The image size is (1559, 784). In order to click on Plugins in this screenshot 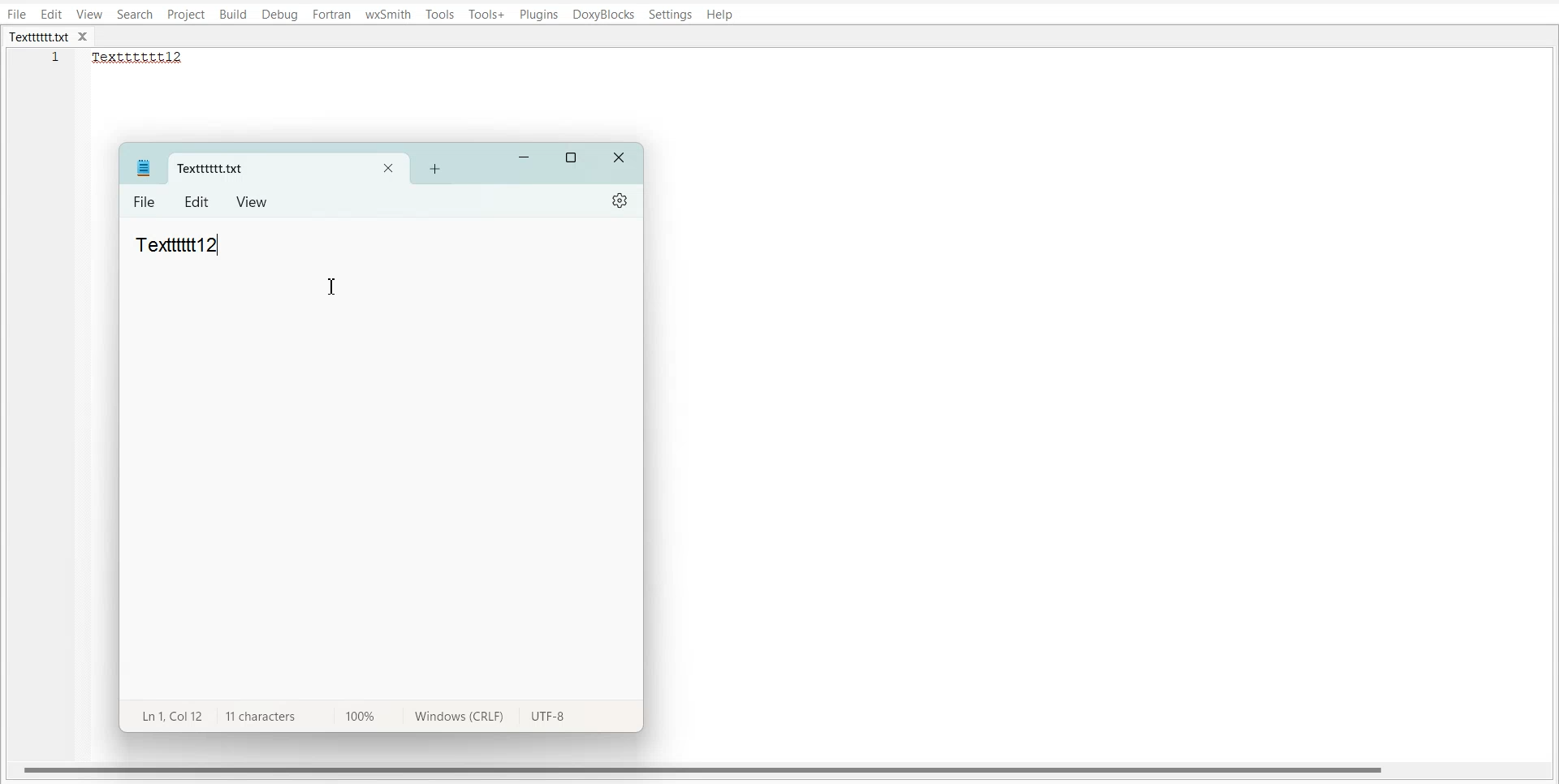, I will do `click(540, 15)`.